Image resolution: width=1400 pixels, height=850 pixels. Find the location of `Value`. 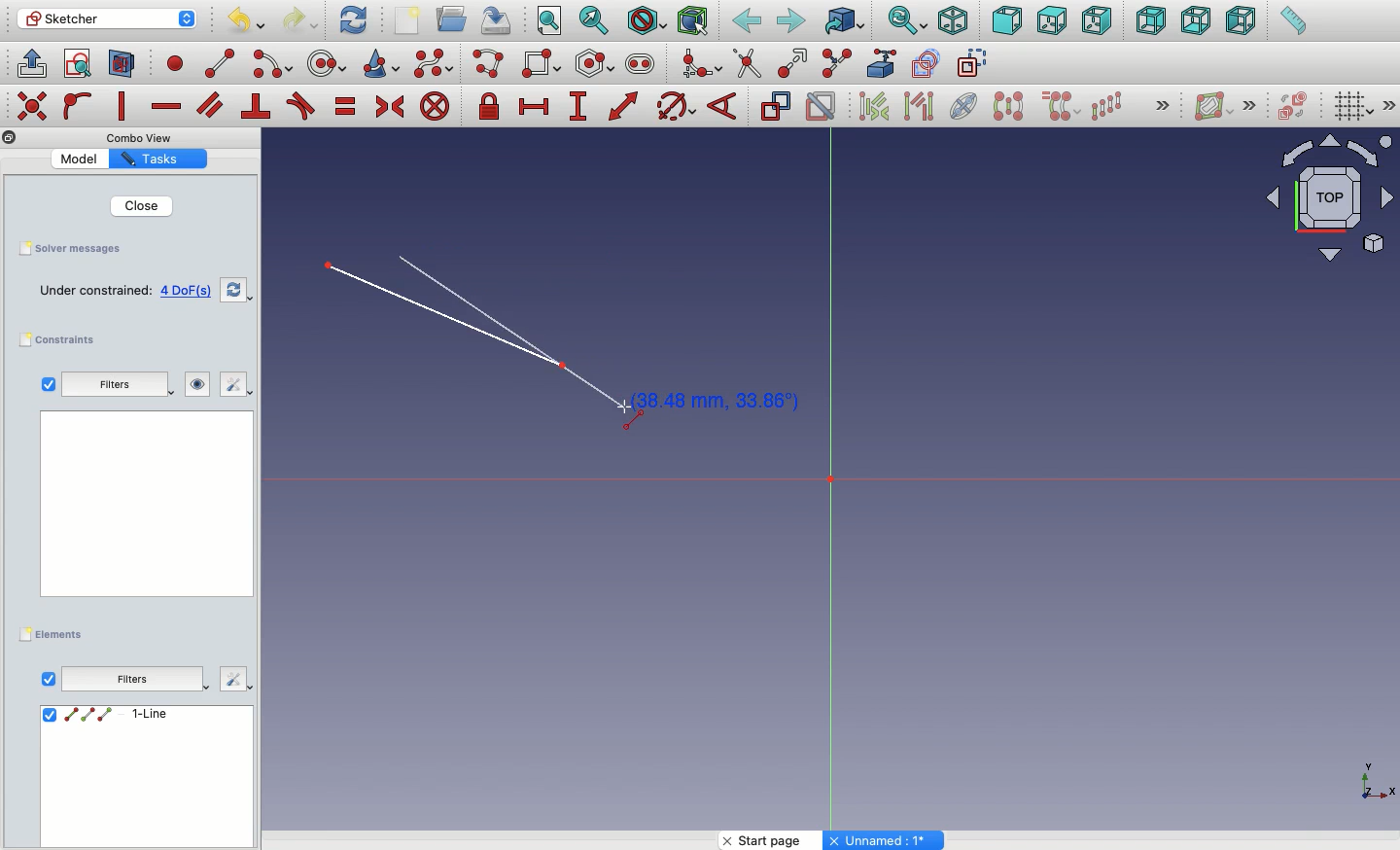

Value is located at coordinates (79, 159).